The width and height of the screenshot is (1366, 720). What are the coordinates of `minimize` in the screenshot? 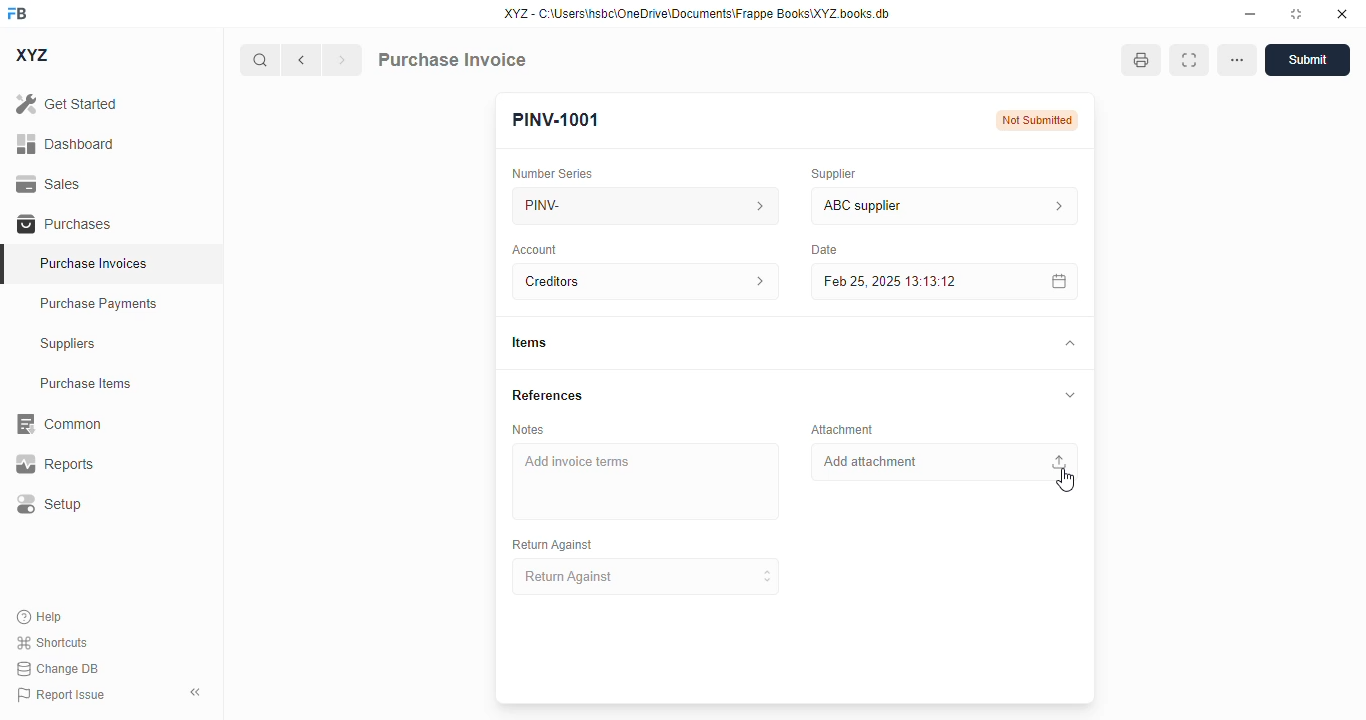 It's located at (1250, 13).